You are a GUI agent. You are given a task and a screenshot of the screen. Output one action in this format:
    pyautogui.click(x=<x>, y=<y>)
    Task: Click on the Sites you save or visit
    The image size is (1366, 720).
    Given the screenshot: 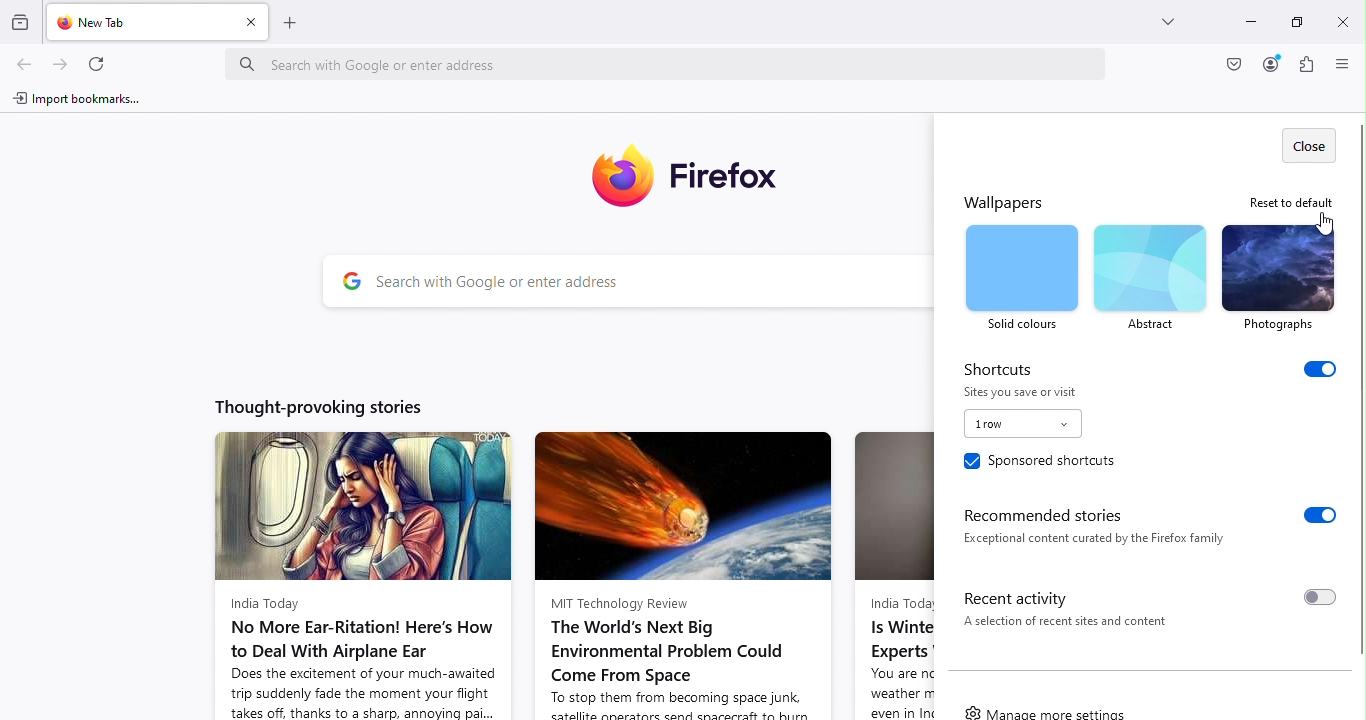 What is the action you would take?
    pyautogui.click(x=1019, y=425)
    